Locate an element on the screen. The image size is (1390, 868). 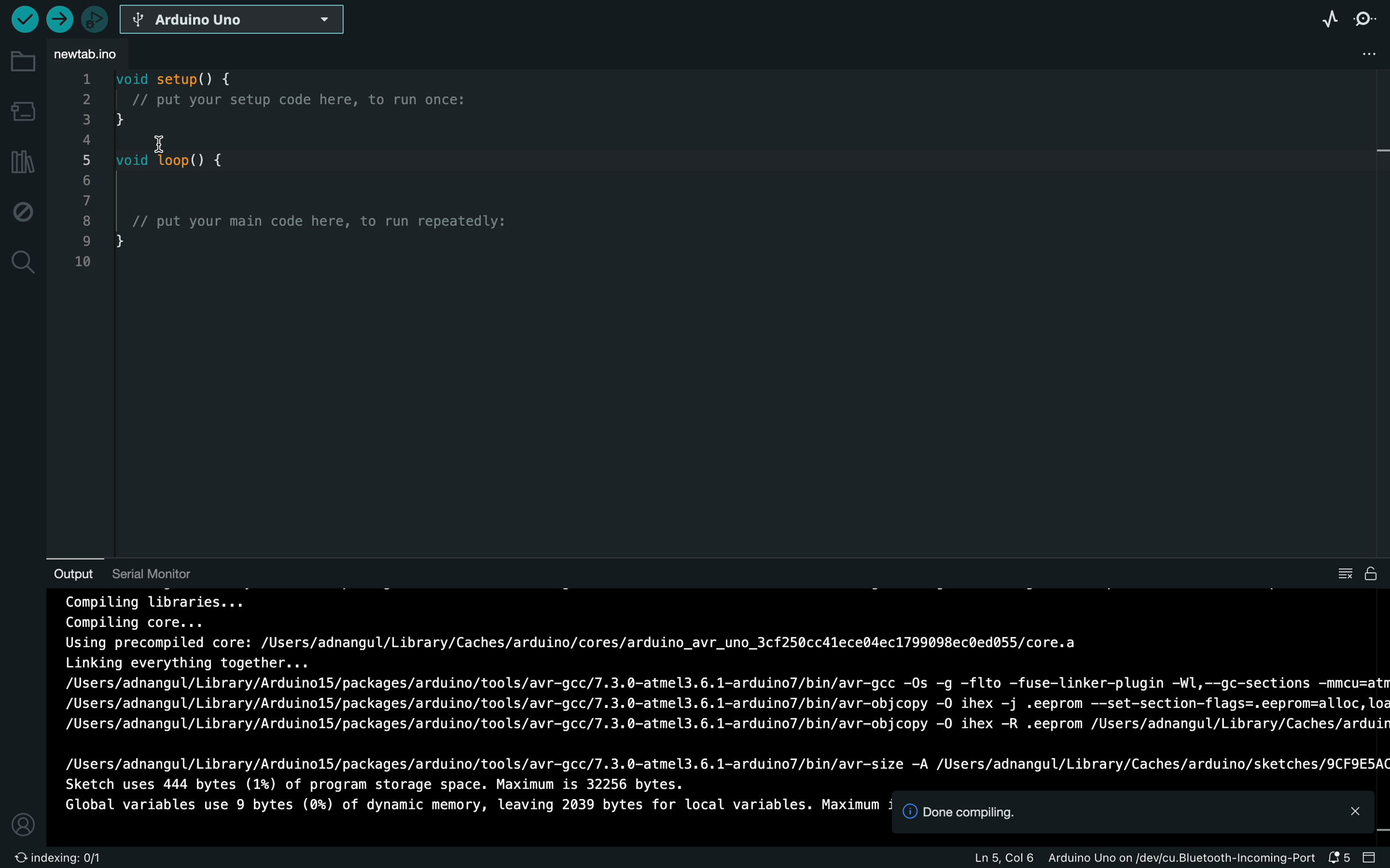
cursor is located at coordinates (164, 139).